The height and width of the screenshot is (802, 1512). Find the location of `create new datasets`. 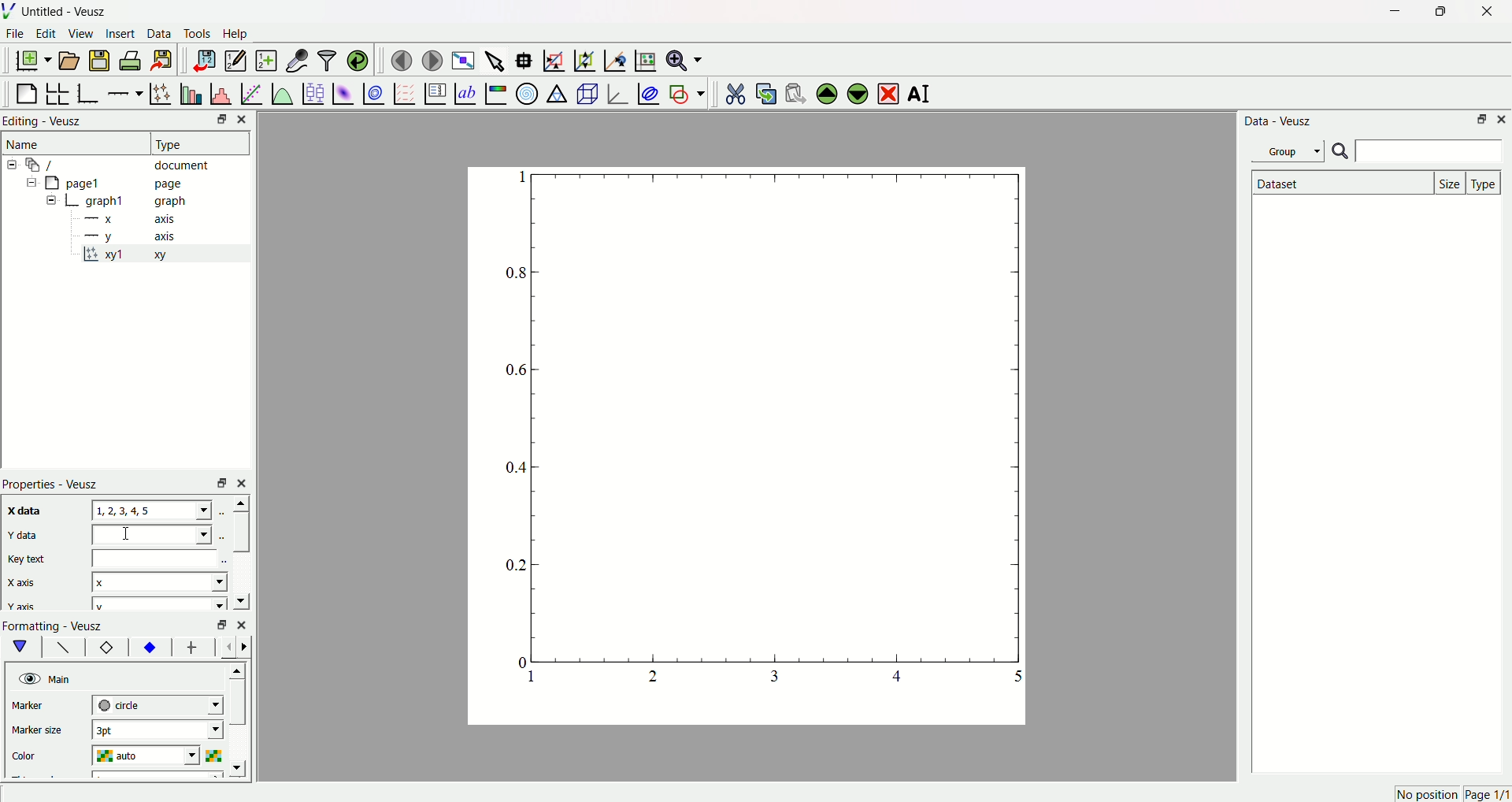

create new datasets is located at coordinates (265, 61).